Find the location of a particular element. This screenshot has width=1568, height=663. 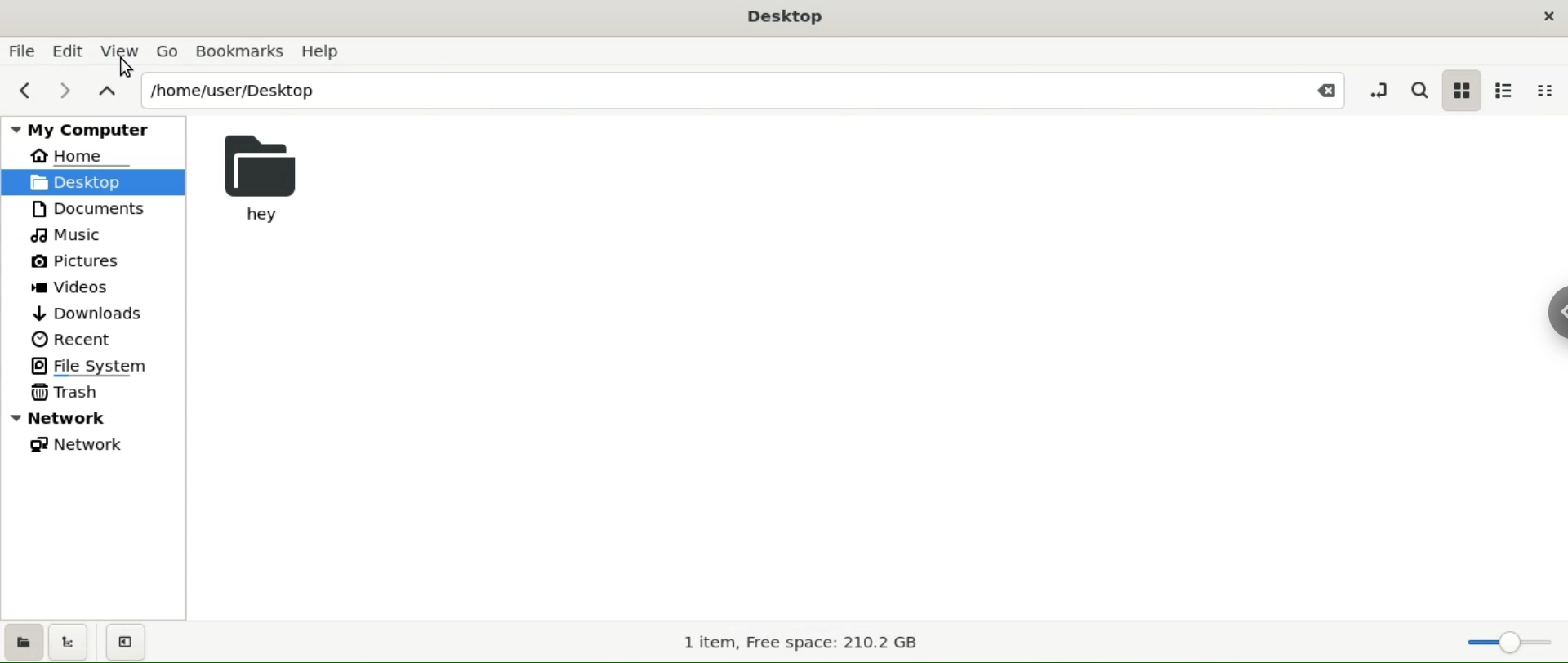

file system is located at coordinates (88, 365).